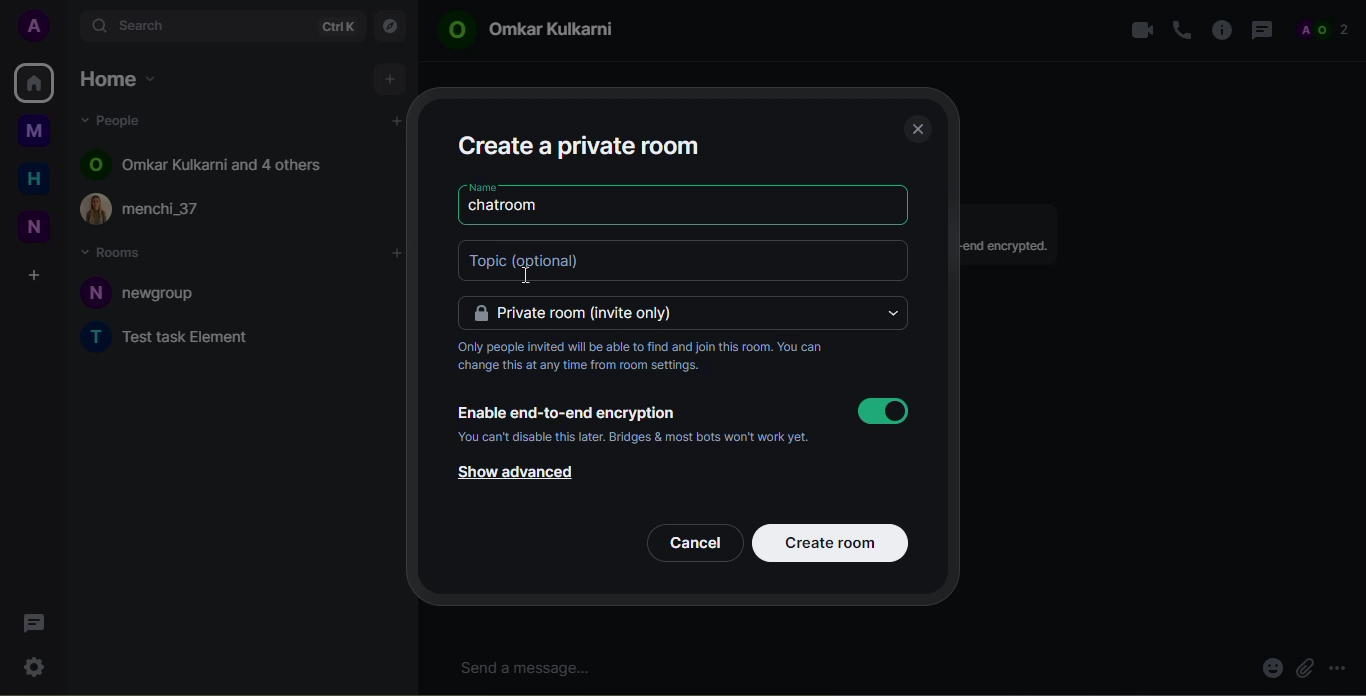  Describe the element at coordinates (580, 312) in the screenshot. I see `private room (invite only)` at that location.